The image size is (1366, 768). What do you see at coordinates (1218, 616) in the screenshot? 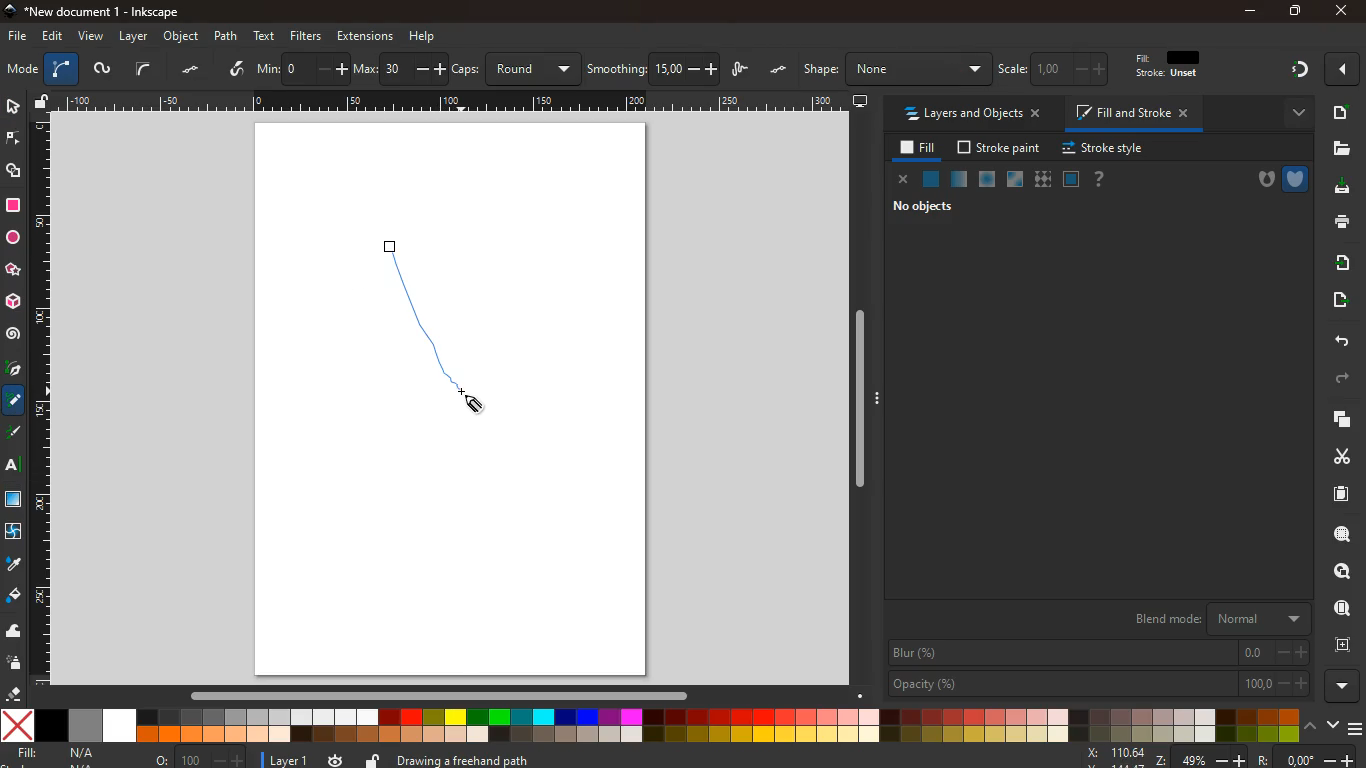
I see `blend mode` at bounding box center [1218, 616].